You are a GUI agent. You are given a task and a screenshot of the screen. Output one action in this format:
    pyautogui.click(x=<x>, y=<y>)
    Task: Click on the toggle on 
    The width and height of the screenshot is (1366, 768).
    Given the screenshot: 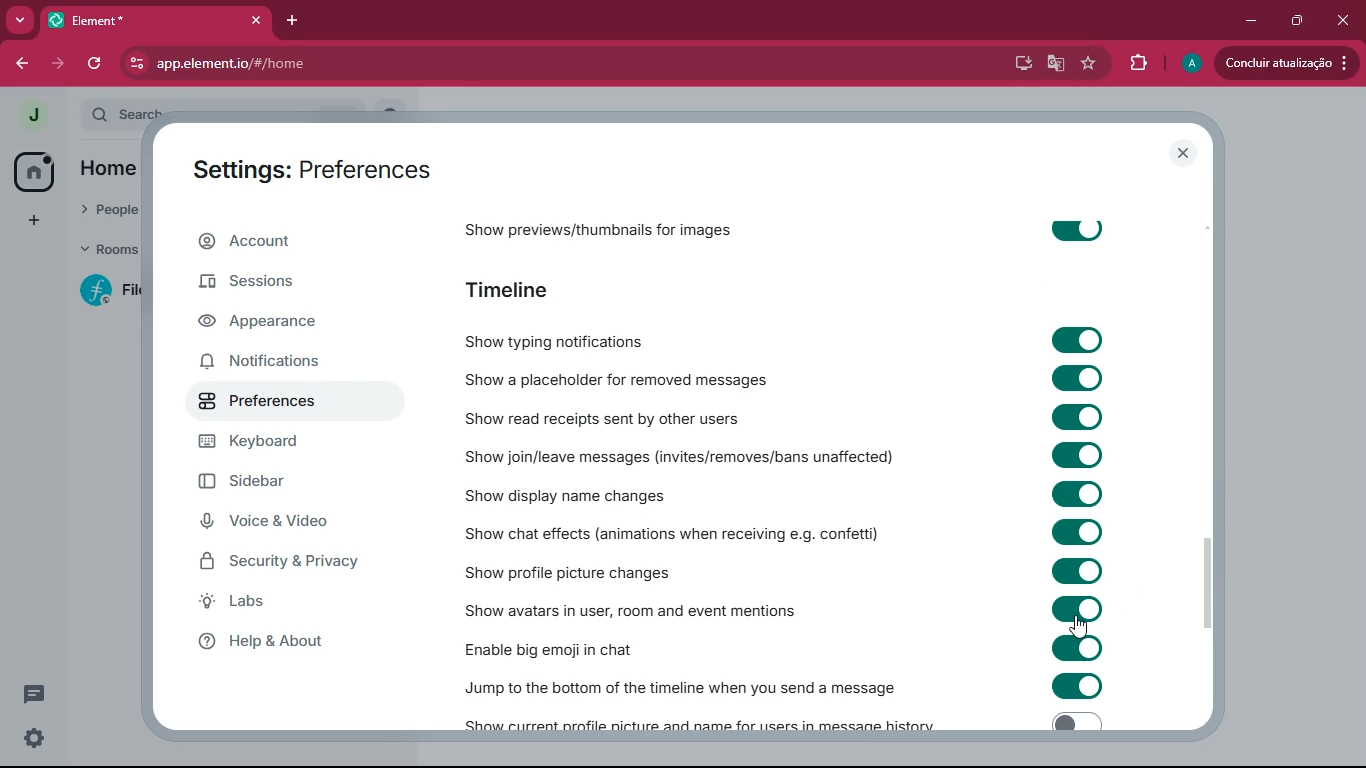 What is the action you would take?
    pyautogui.click(x=1077, y=417)
    